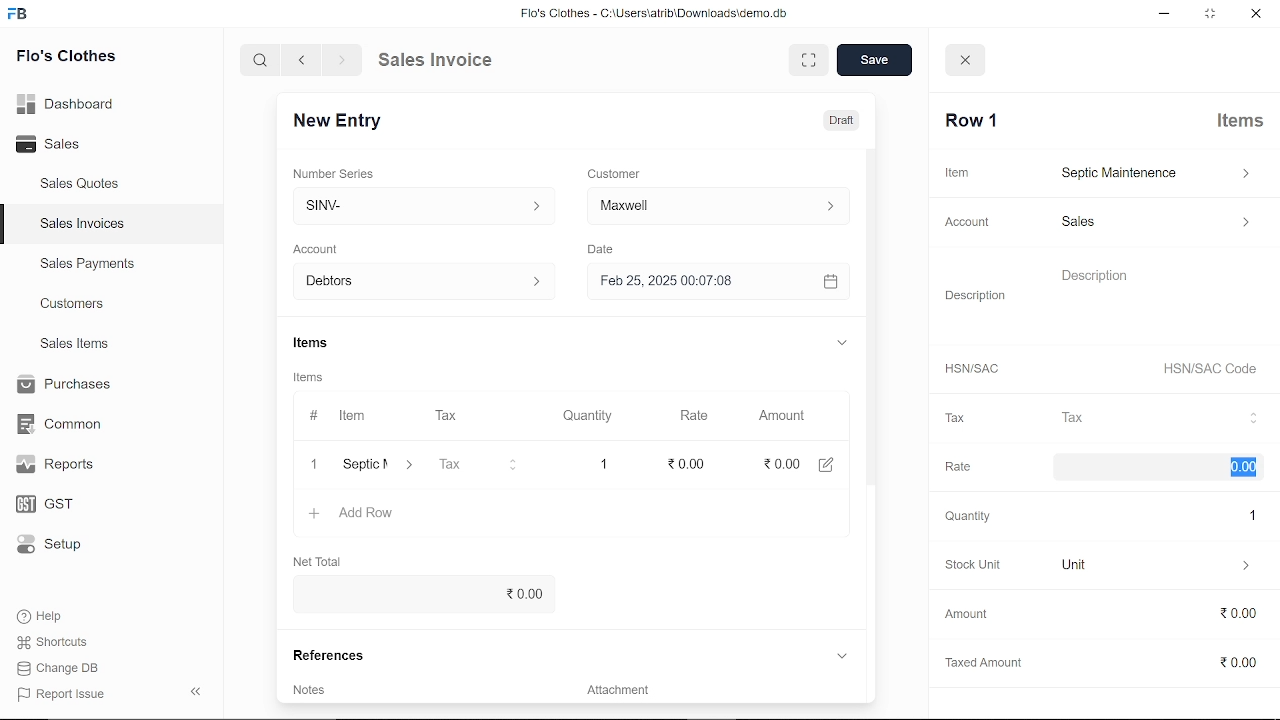 This screenshot has width=1280, height=720. What do you see at coordinates (482, 465) in the screenshot?
I see `Tax` at bounding box center [482, 465].